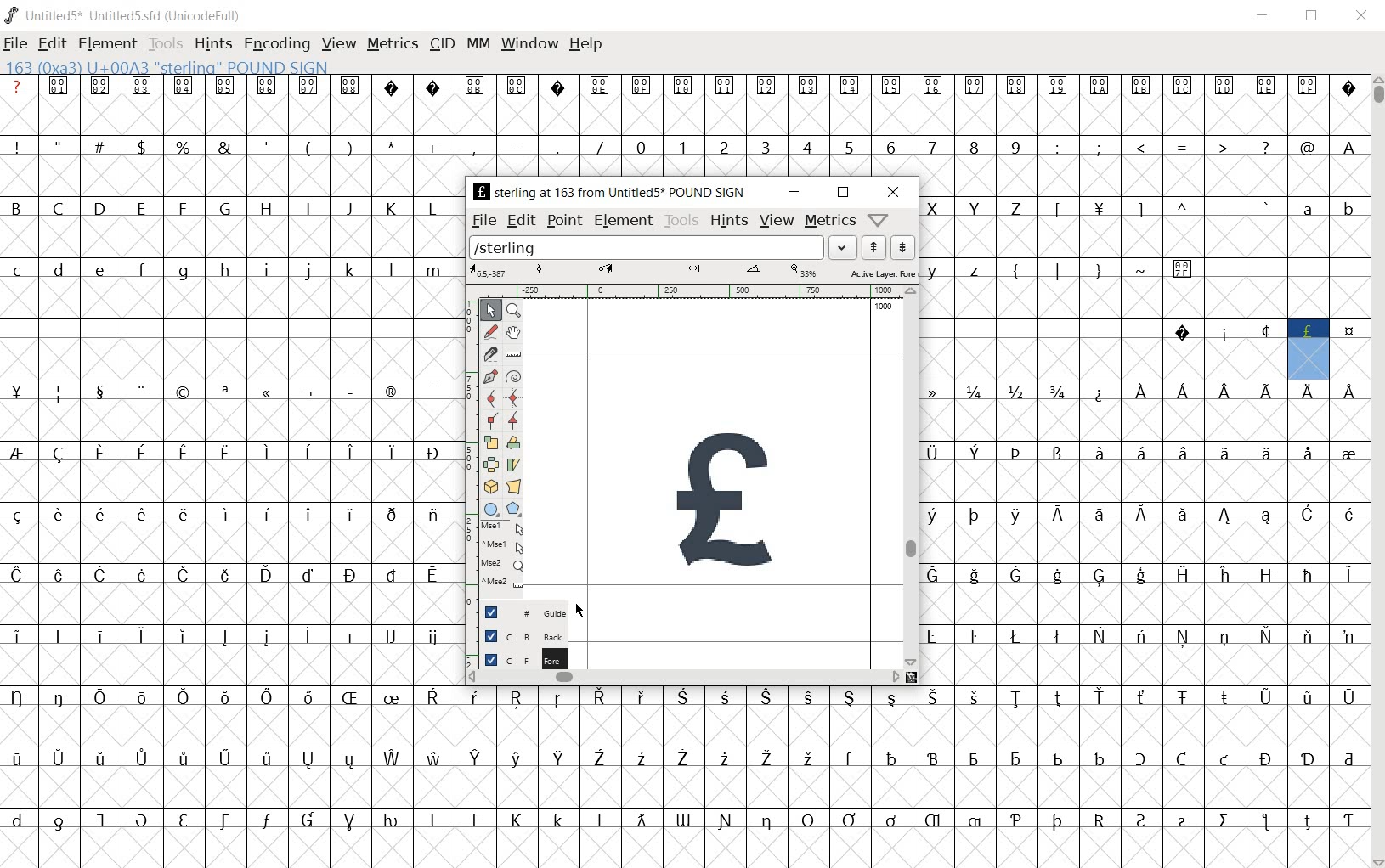 This screenshot has width=1385, height=868. What do you see at coordinates (21, 697) in the screenshot?
I see `Symbol` at bounding box center [21, 697].